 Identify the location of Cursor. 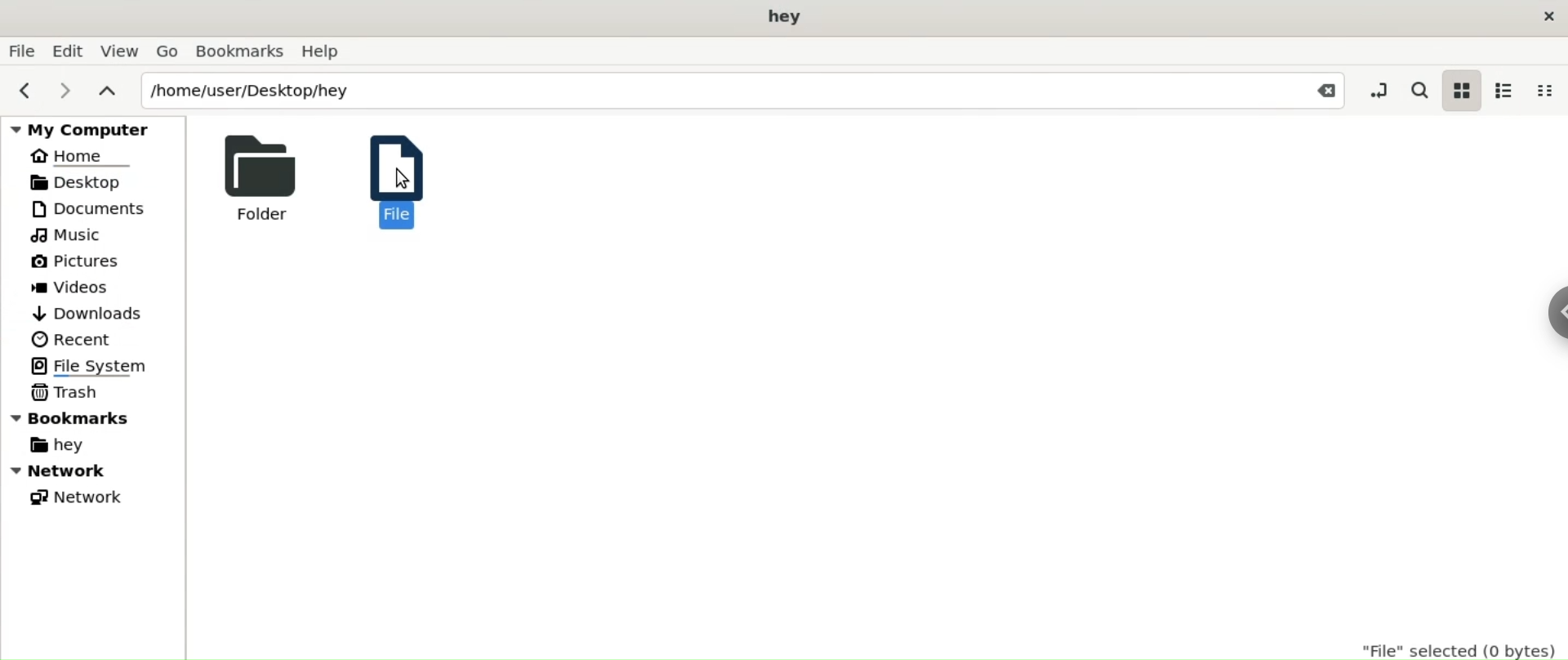
(395, 188).